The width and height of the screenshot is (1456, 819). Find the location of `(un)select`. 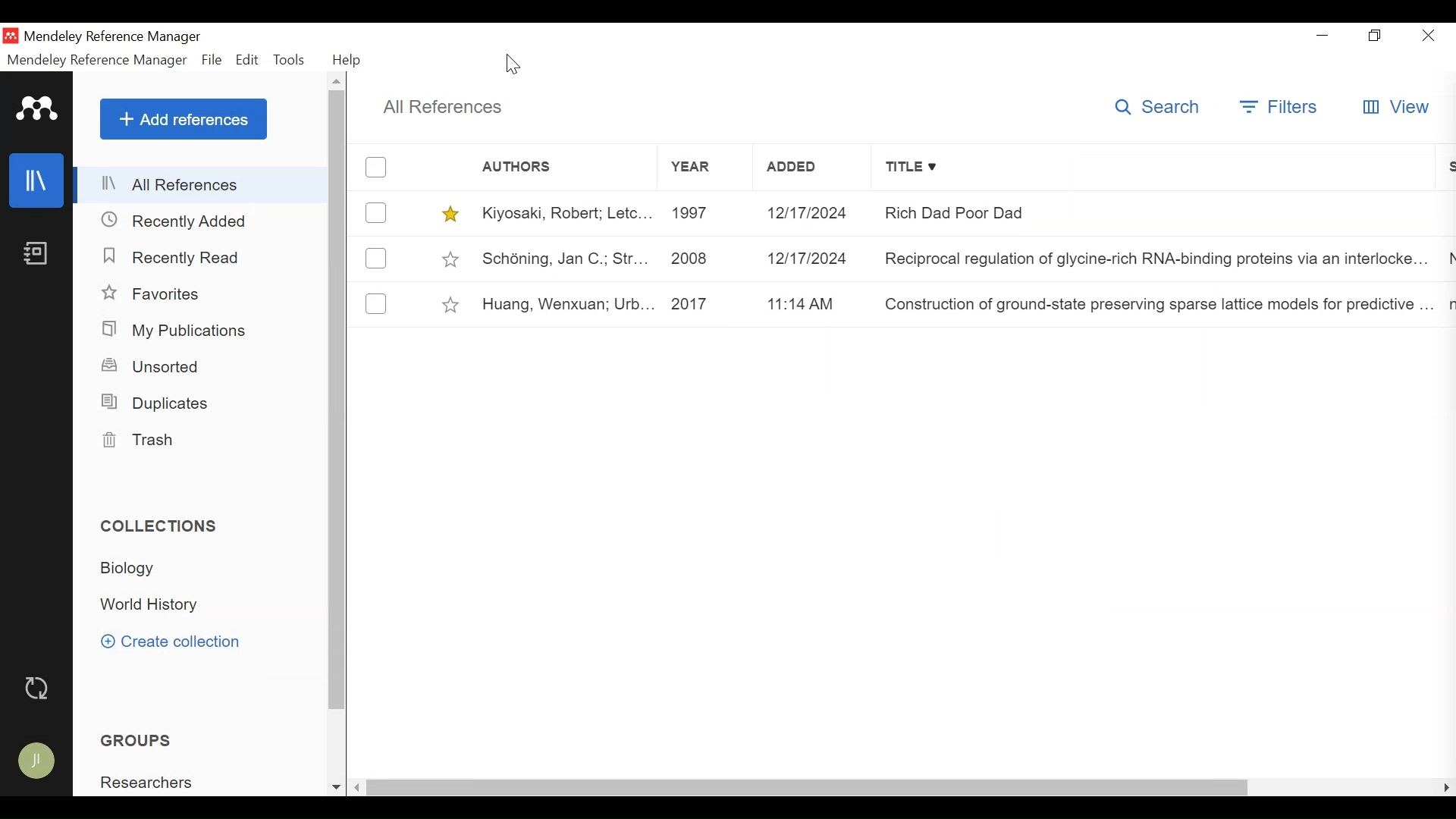

(un)select is located at coordinates (376, 167).